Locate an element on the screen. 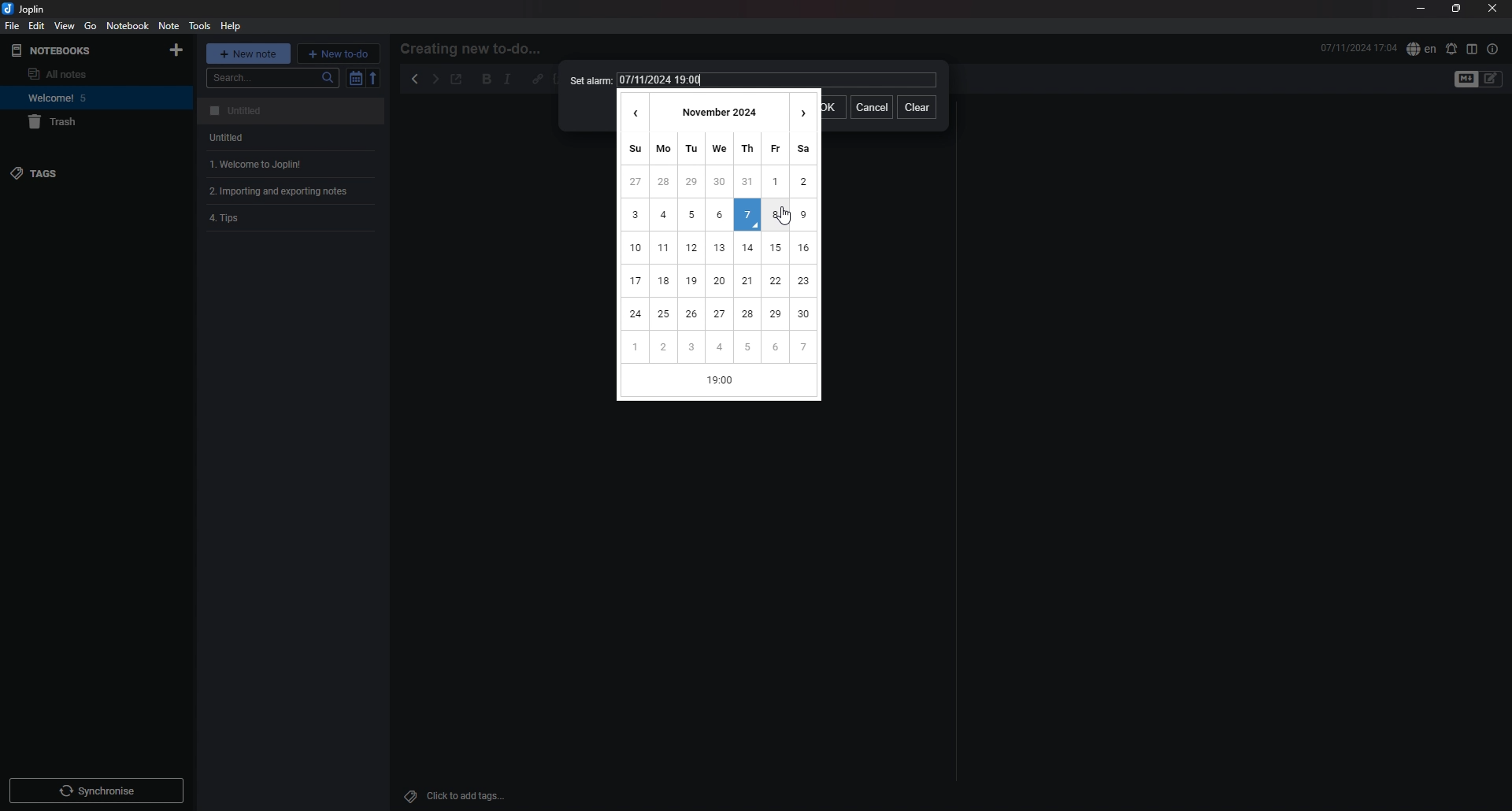 The height and width of the screenshot is (811, 1512). italic is located at coordinates (508, 80).